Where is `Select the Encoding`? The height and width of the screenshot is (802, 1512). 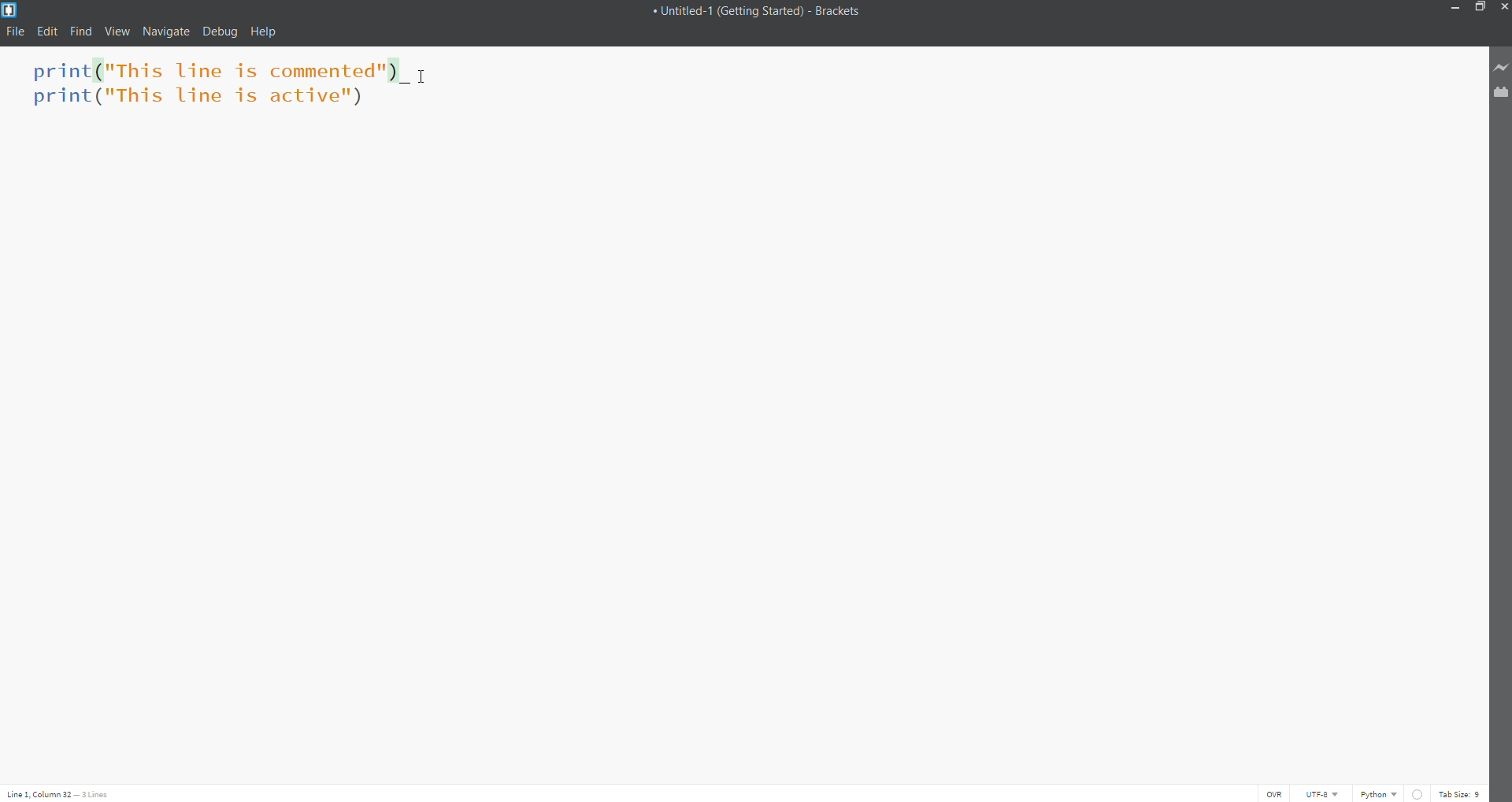 Select the Encoding is located at coordinates (1324, 793).